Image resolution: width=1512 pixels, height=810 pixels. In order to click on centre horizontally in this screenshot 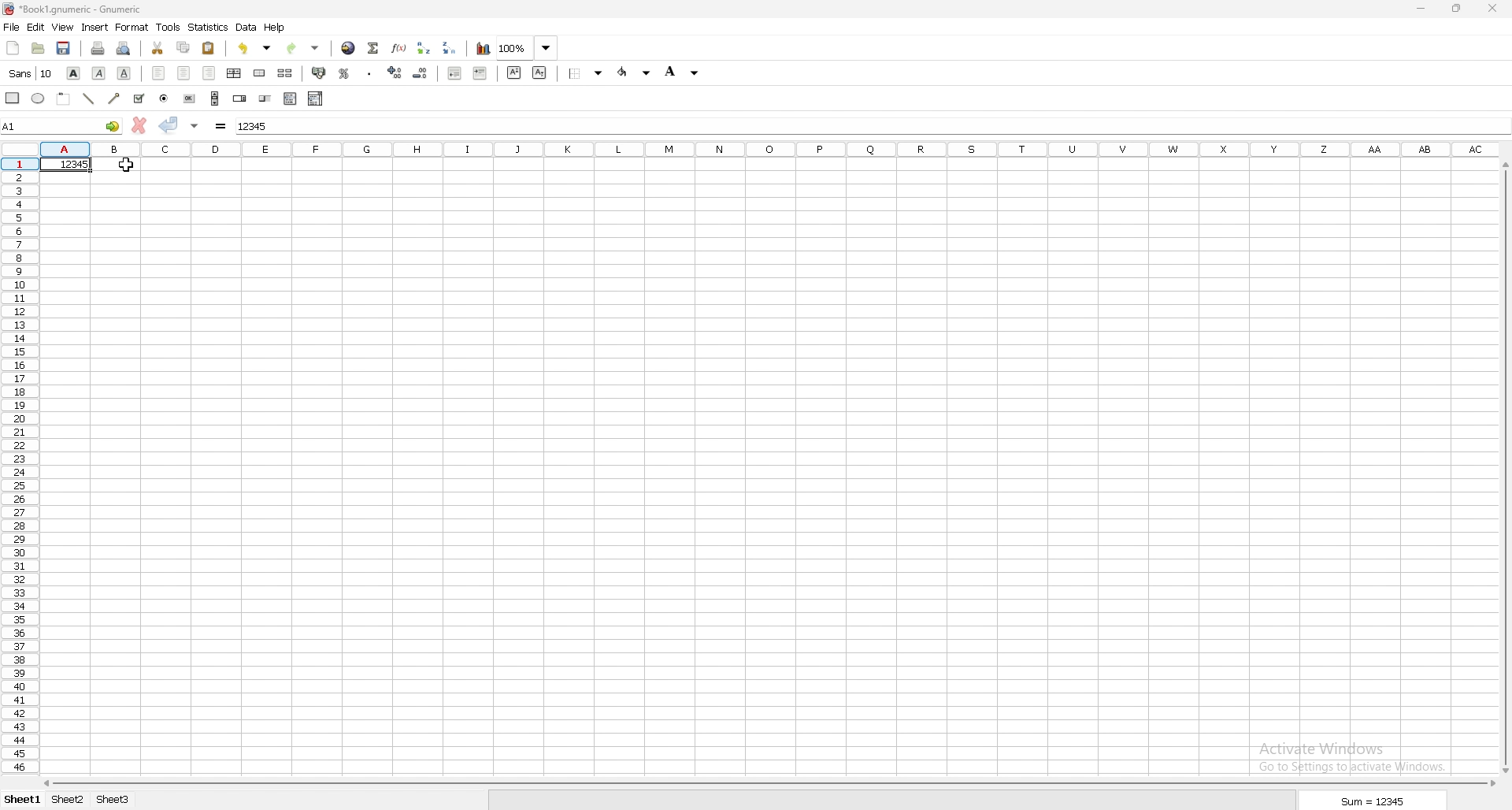, I will do `click(235, 73)`.